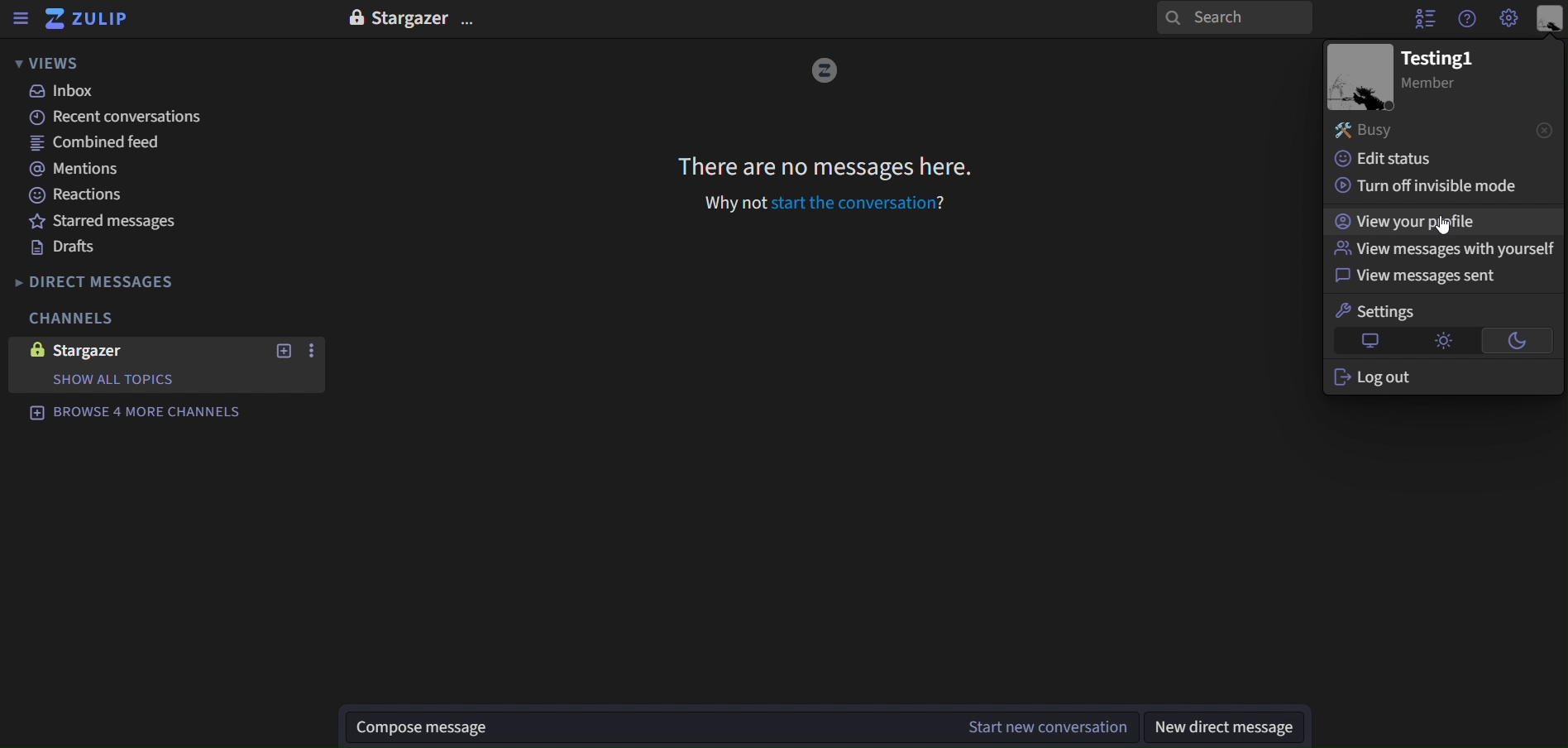 This screenshot has width=1568, height=748. What do you see at coordinates (78, 319) in the screenshot?
I see `channels` at bounding box center [78, 319].